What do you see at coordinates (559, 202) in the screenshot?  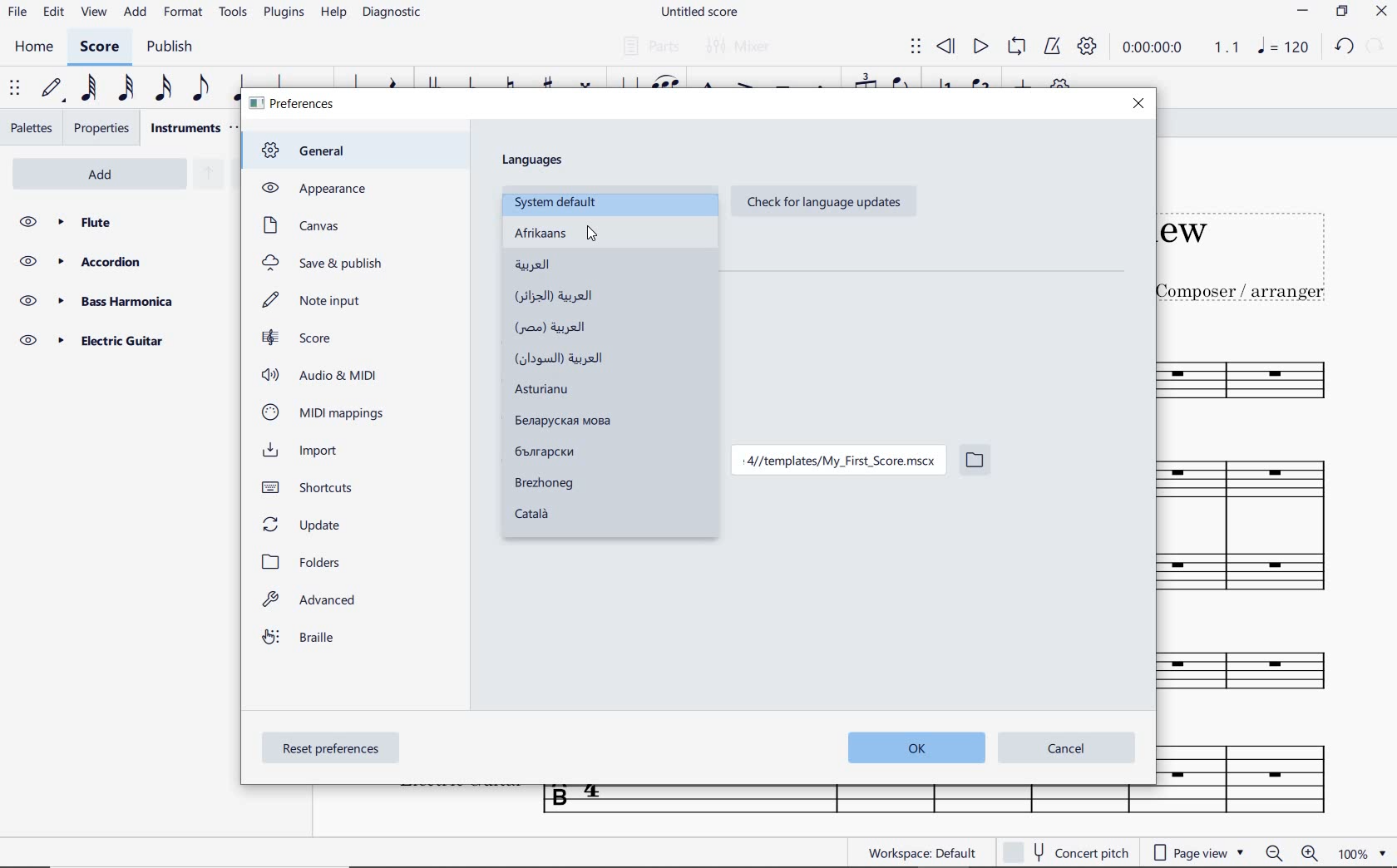 I see `system default` at bounding box center [559, 202].